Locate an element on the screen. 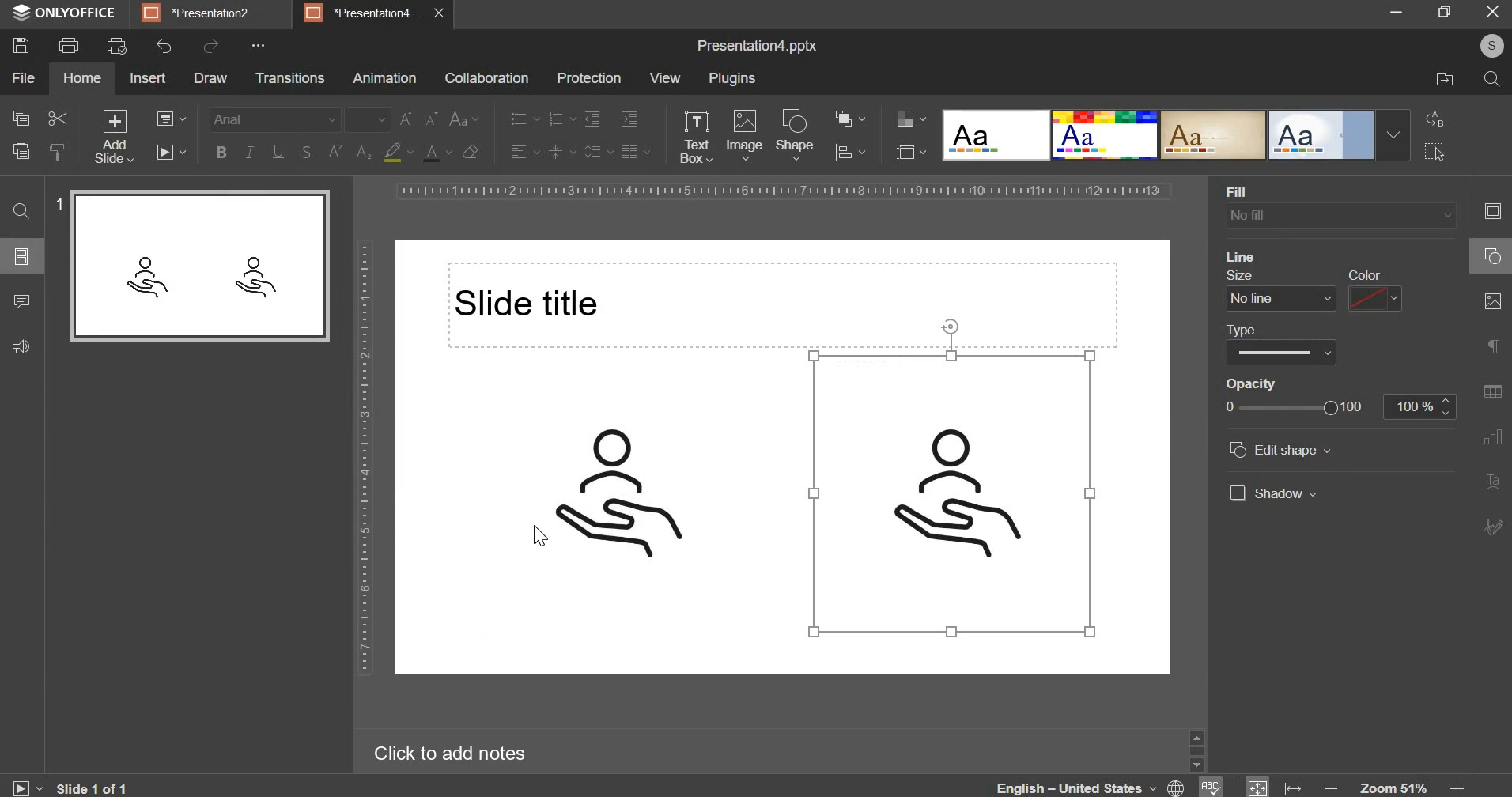 The width and height of the screenshot is (1512, 797). vertical alignment is located at coordinates (561, 152).